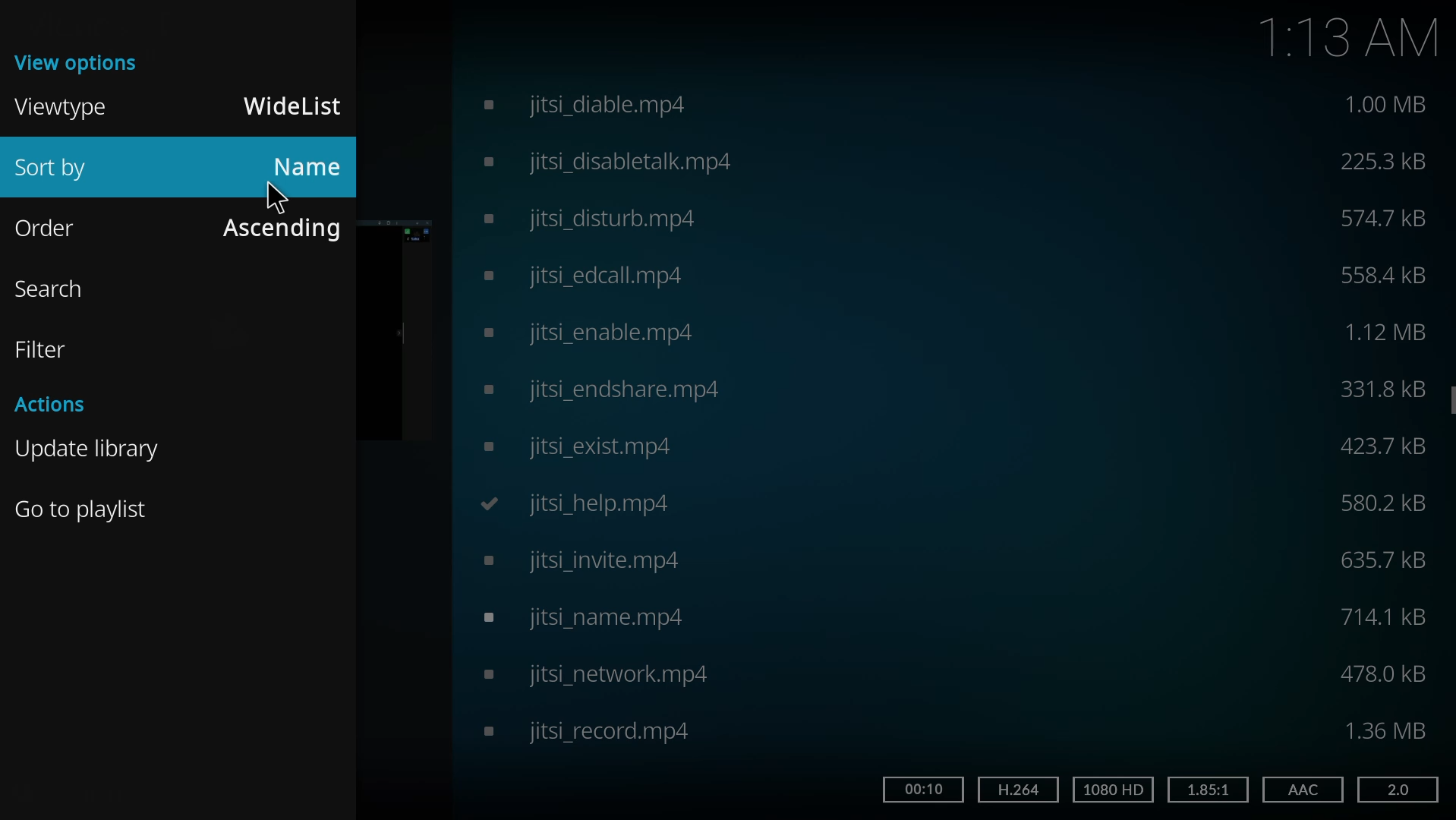 The height and width of the screenshot is (820, 1456). What do you see at coordinates (1385, 106) in the screenshot?
I see `size` at bounding box center [1385, 106].